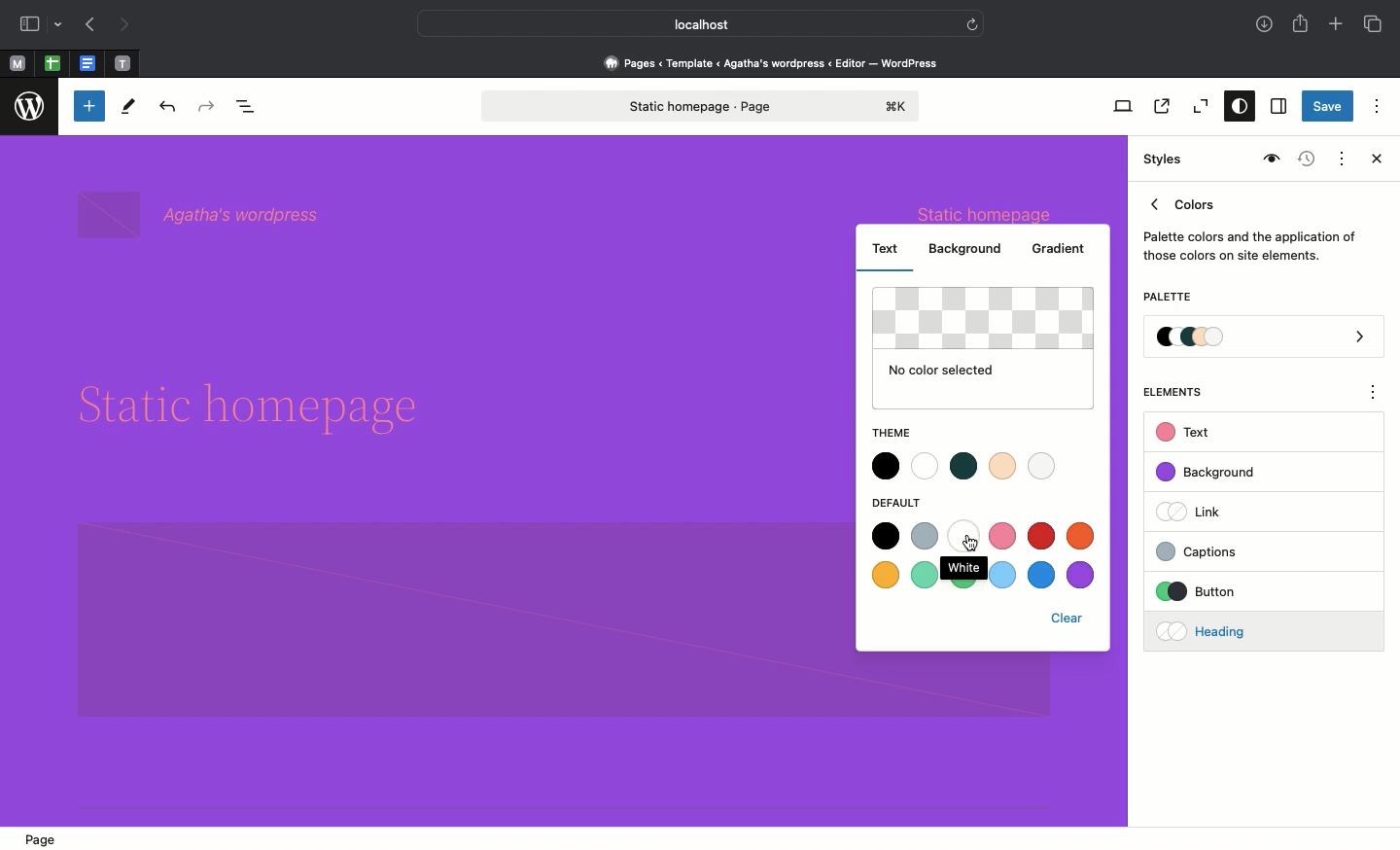 This screenshot has width=1400, height=850. I want to click on Actions, so click(1340, 157).